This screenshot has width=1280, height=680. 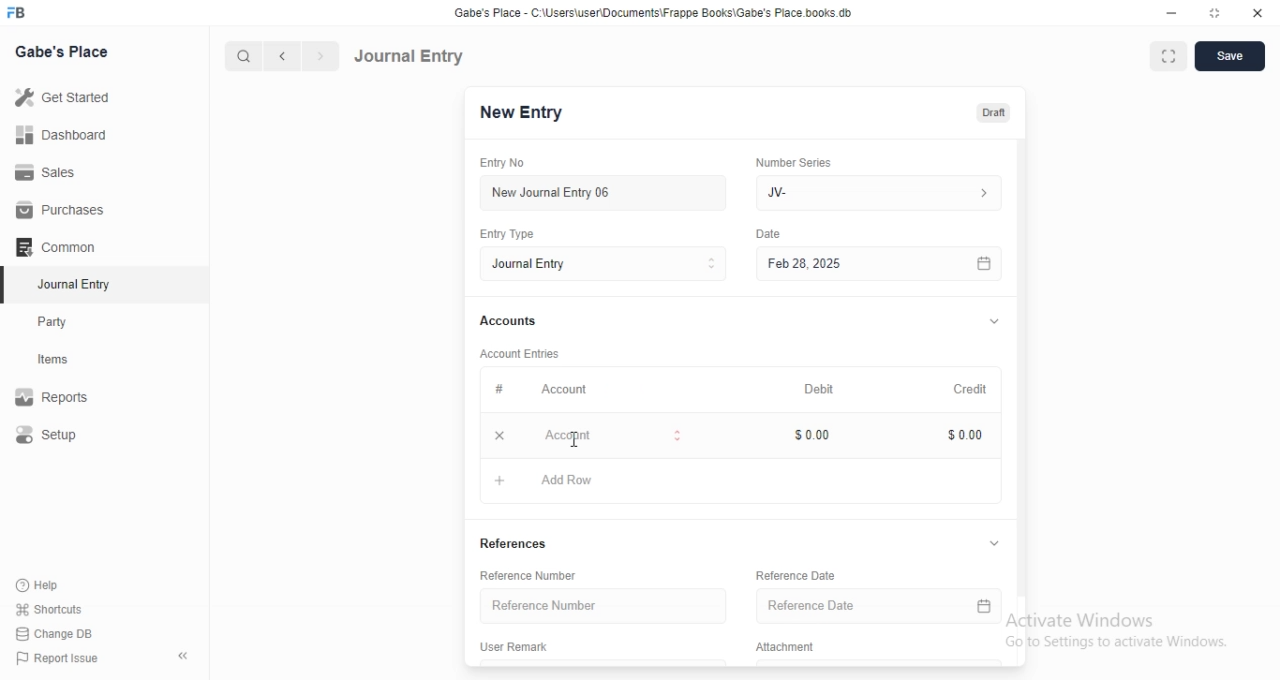 I want to click on vertical scrollbar, so click(x=1022, y=365).